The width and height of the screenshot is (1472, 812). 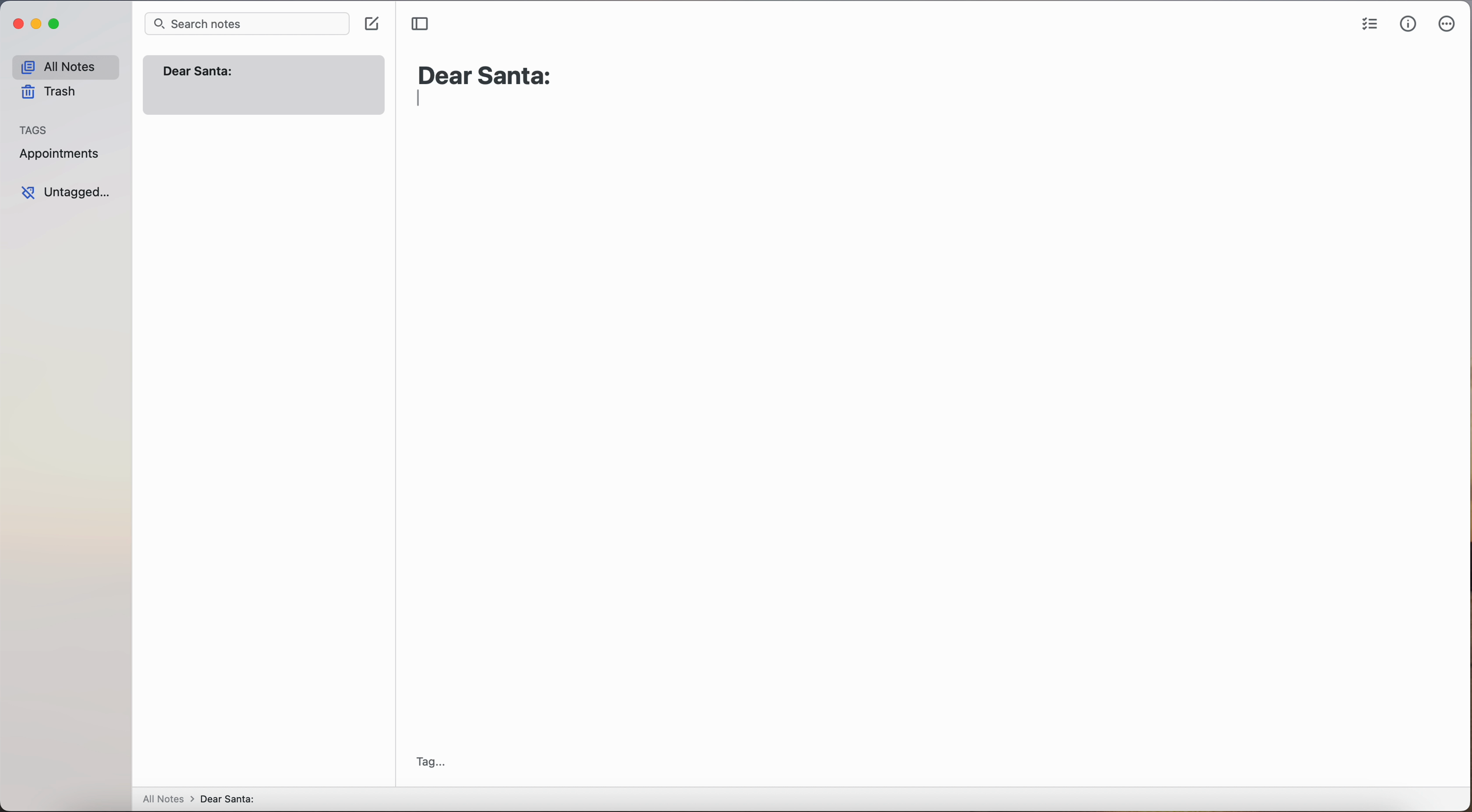 I want to click on minimize app, so click(x=38, y=26).